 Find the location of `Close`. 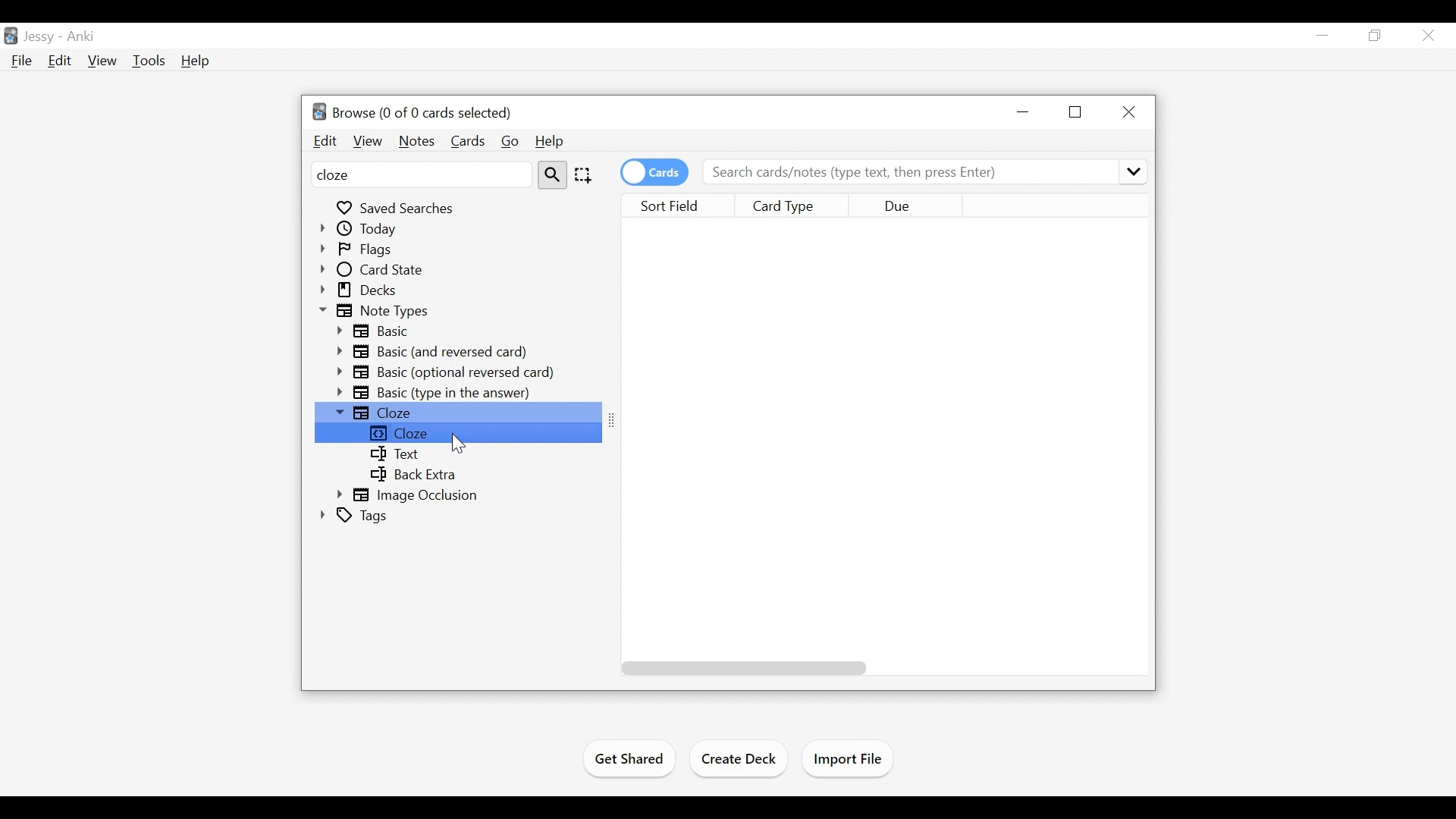

Close is located at coordinates (1430, 36).